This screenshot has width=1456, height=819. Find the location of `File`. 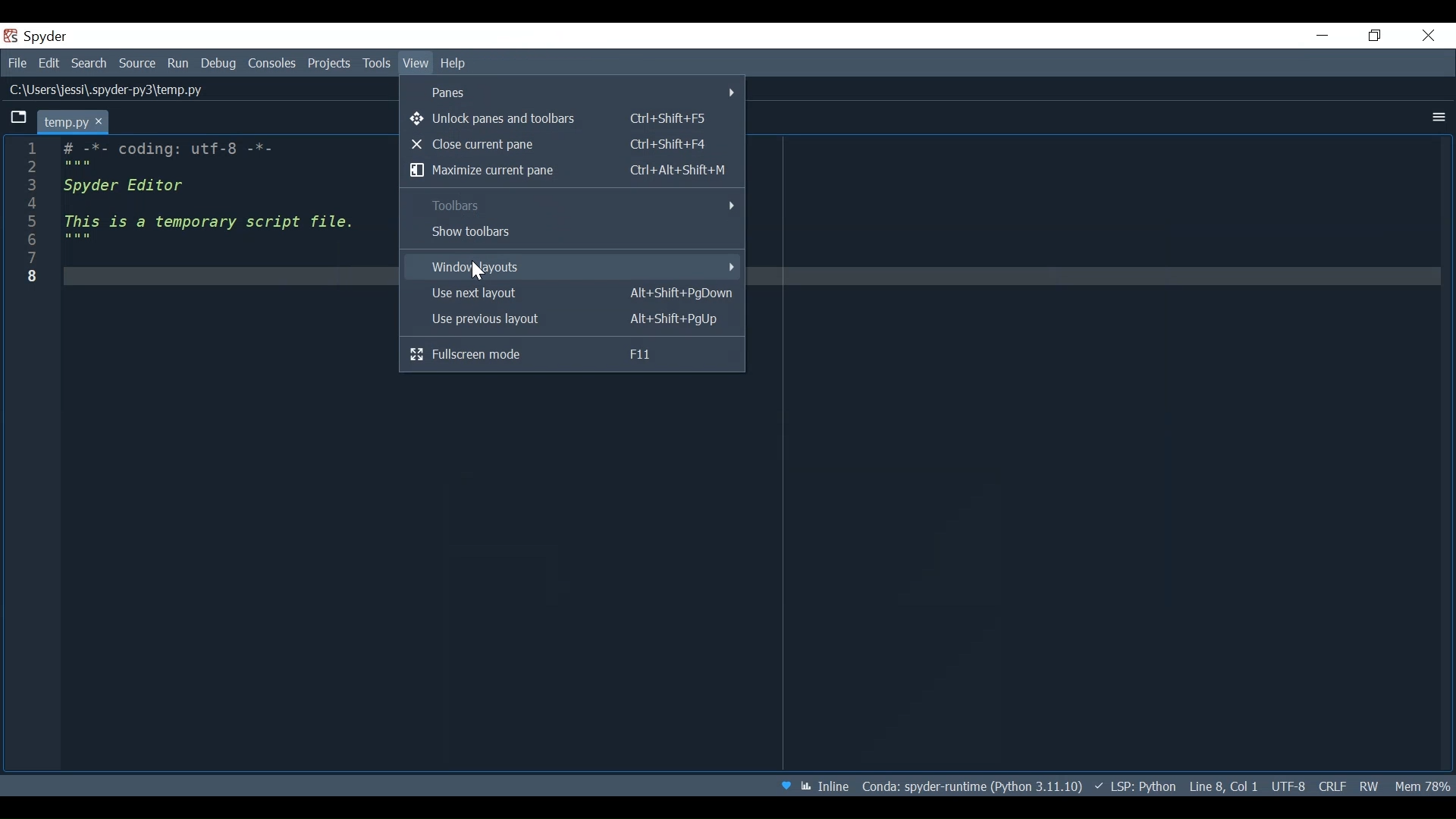

File is located at coordinates (17, 64).